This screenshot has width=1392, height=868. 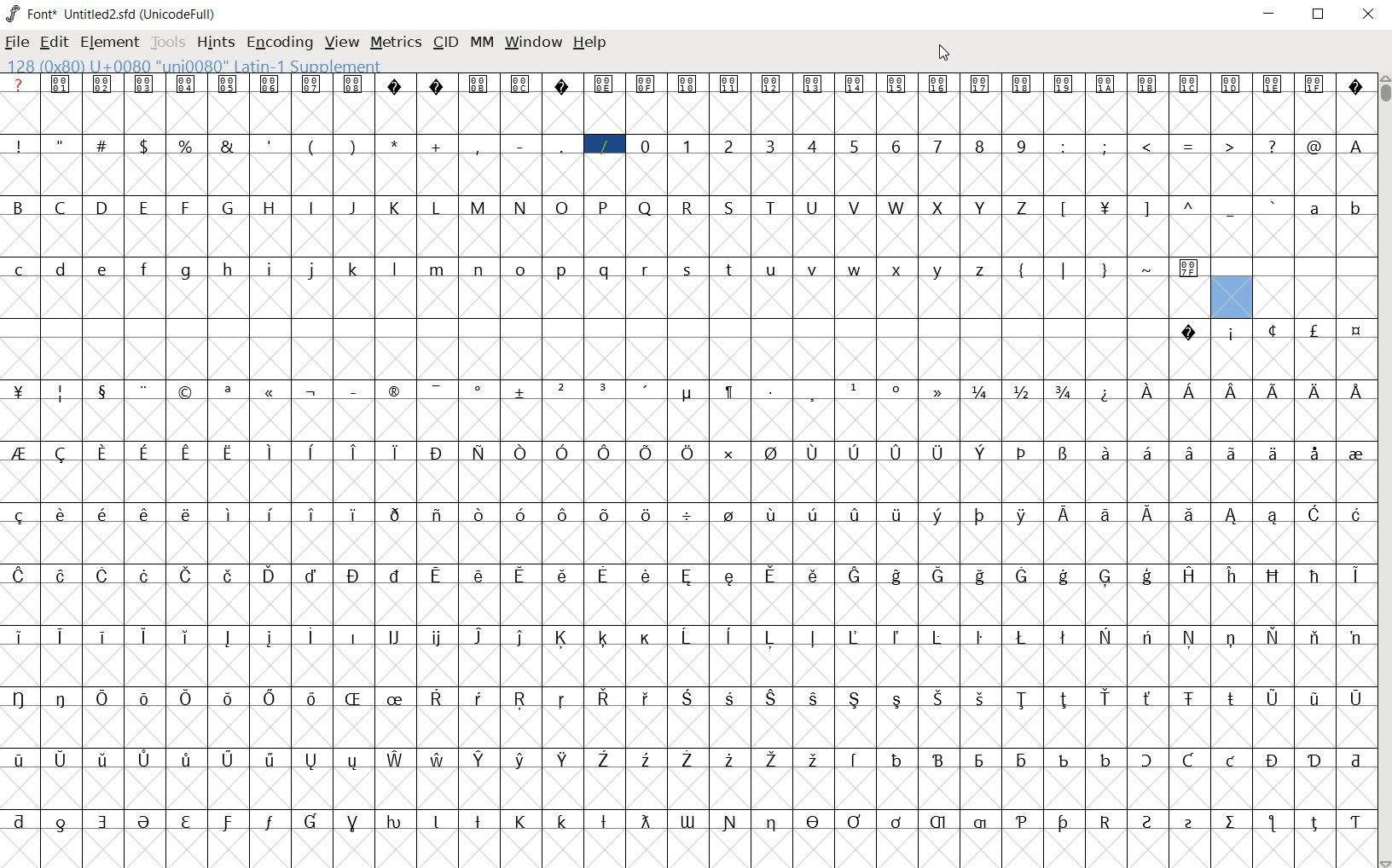 What do you see at coordinates (445, 43) in the screenshot?
I see `CID` at bounding box center [445, 43].